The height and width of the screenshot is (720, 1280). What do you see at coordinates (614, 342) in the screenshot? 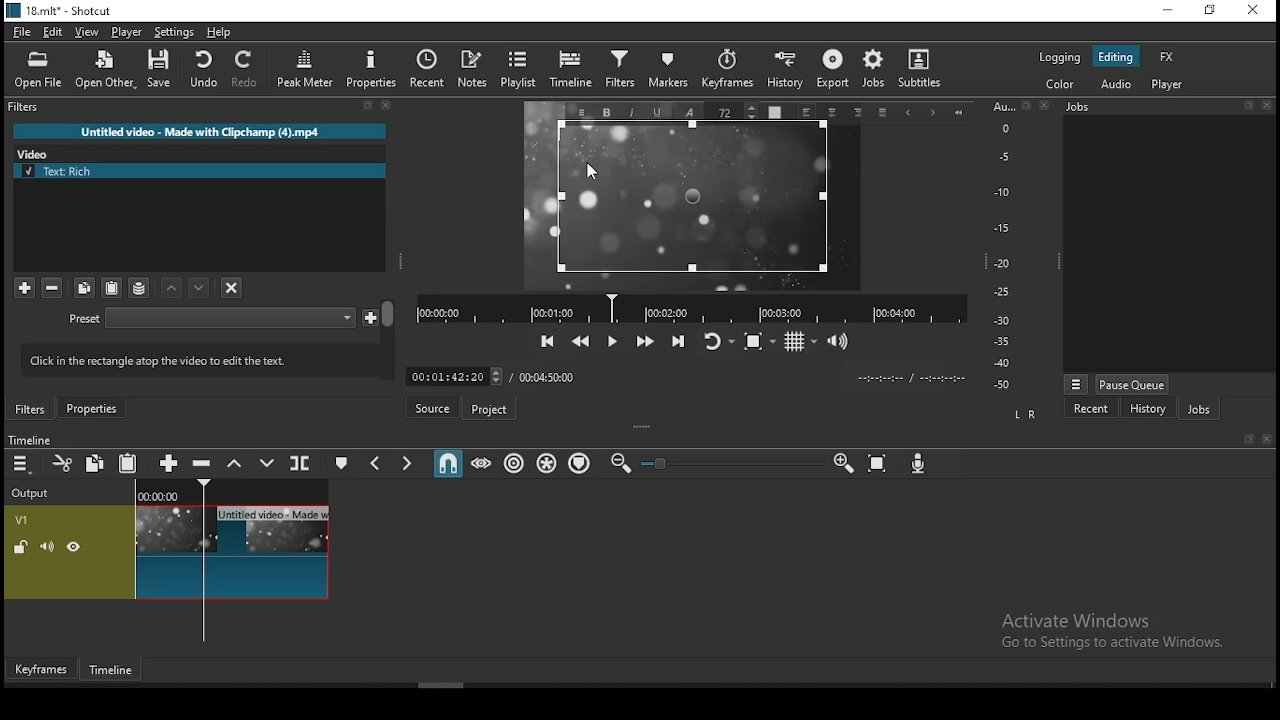
I see `play/pause` at bounding box center [614, 342].